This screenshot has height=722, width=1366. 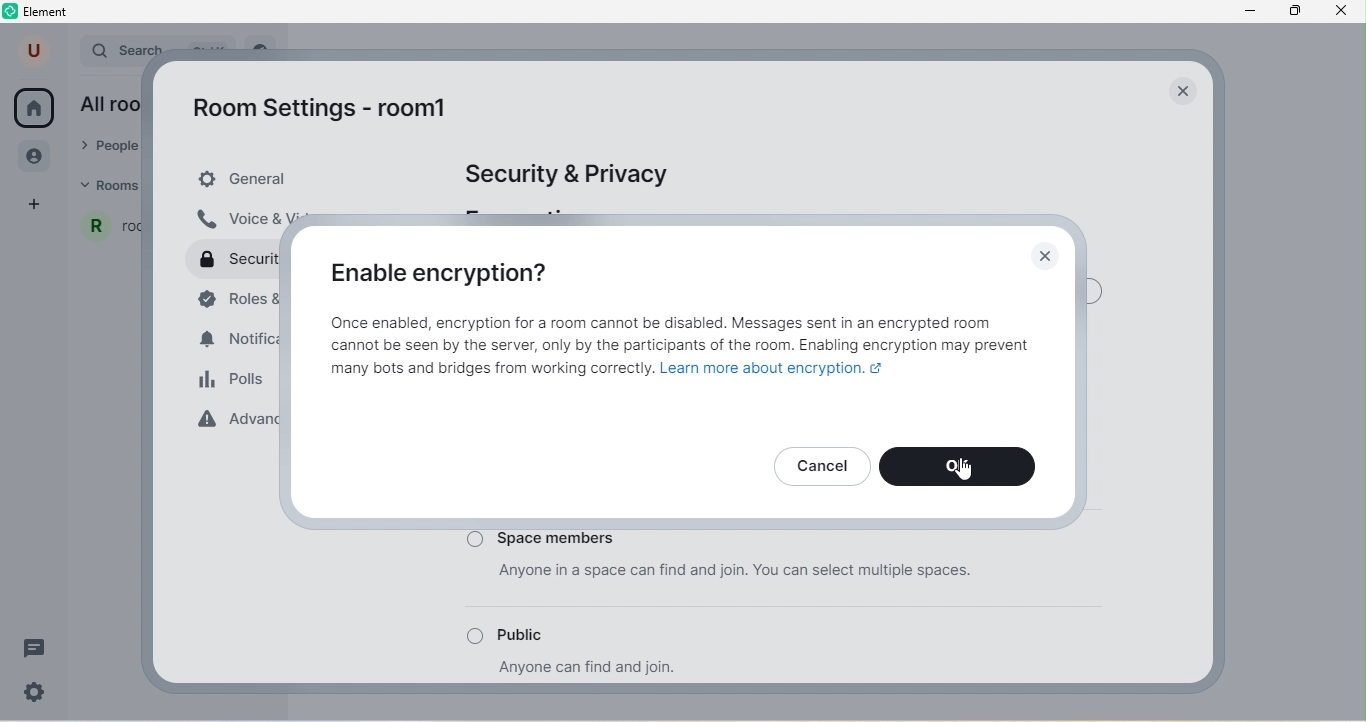 What do you see at coordinates (124, 48) in the screenshot?
I see `search bar` at bounding box center [124, 48].